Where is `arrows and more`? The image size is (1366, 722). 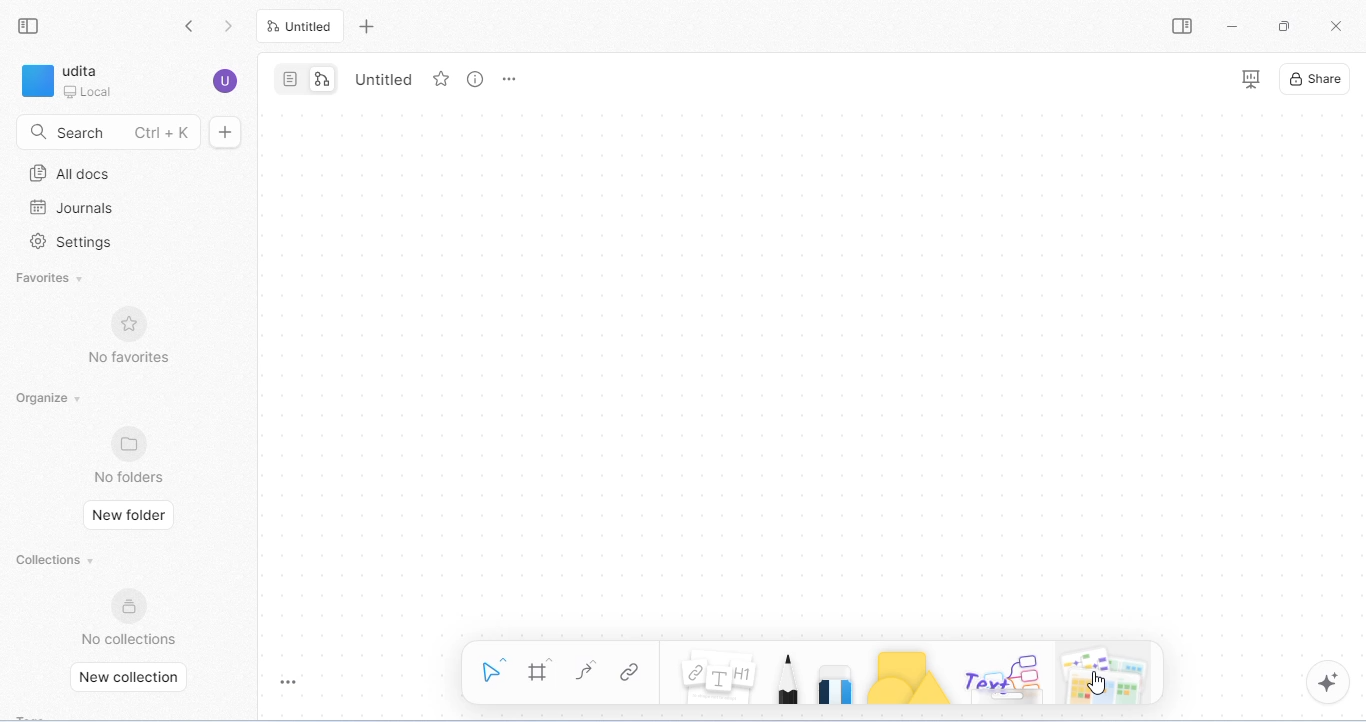
arrows and more is located at coordinates (1101, 674).